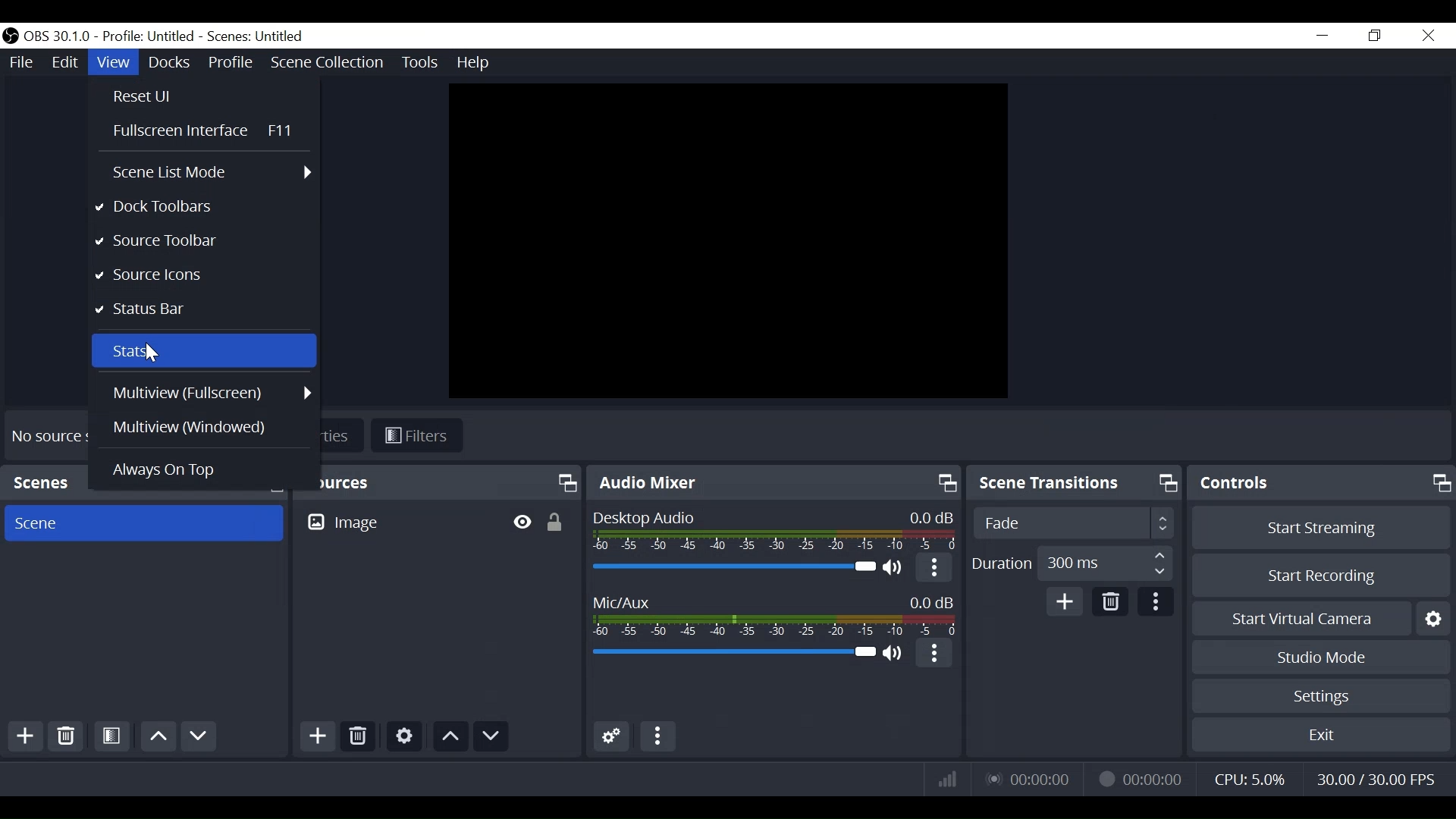 The width and height of the screenshot is (1456, 819). Describe the element at coordinates (1322, 529) in the screenshot. I see `Start Streaming` at that location.